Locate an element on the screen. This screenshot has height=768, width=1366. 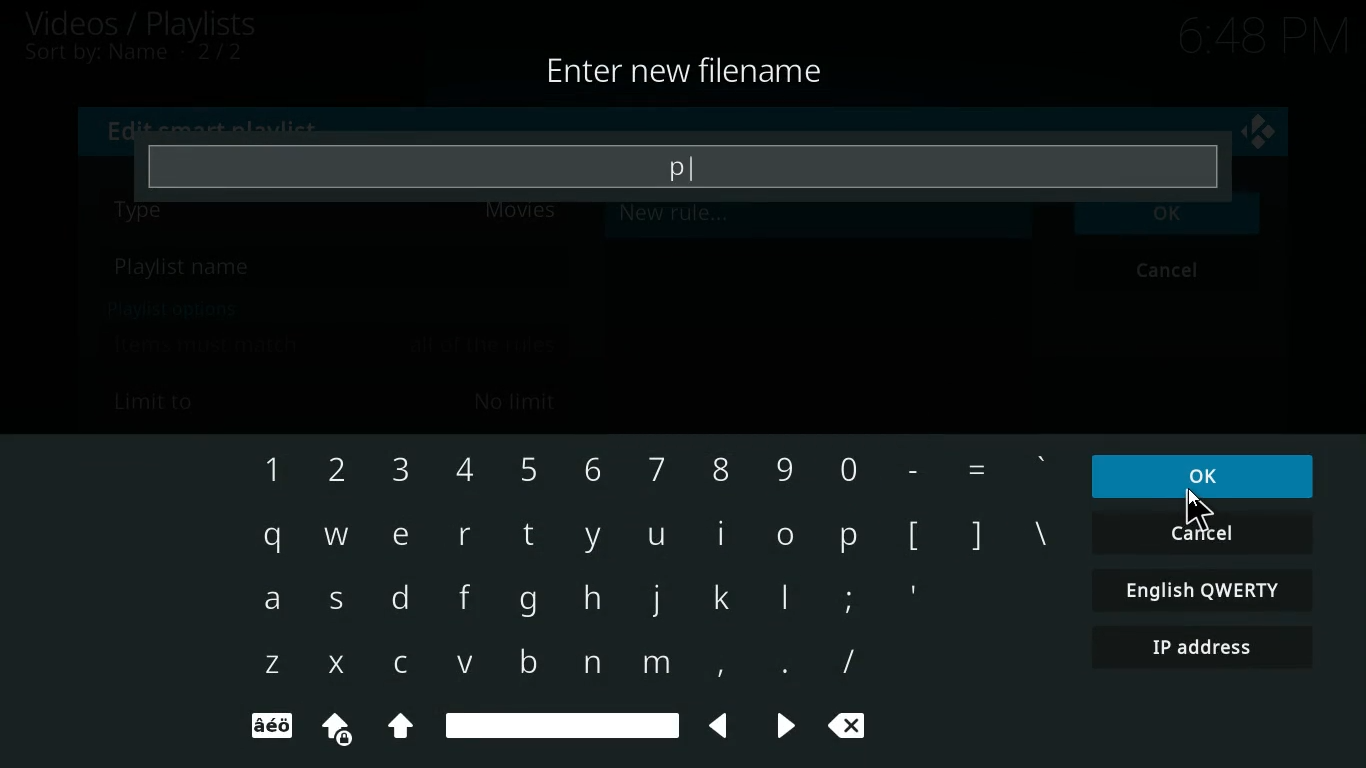
c is located at coordinates (406, 664).